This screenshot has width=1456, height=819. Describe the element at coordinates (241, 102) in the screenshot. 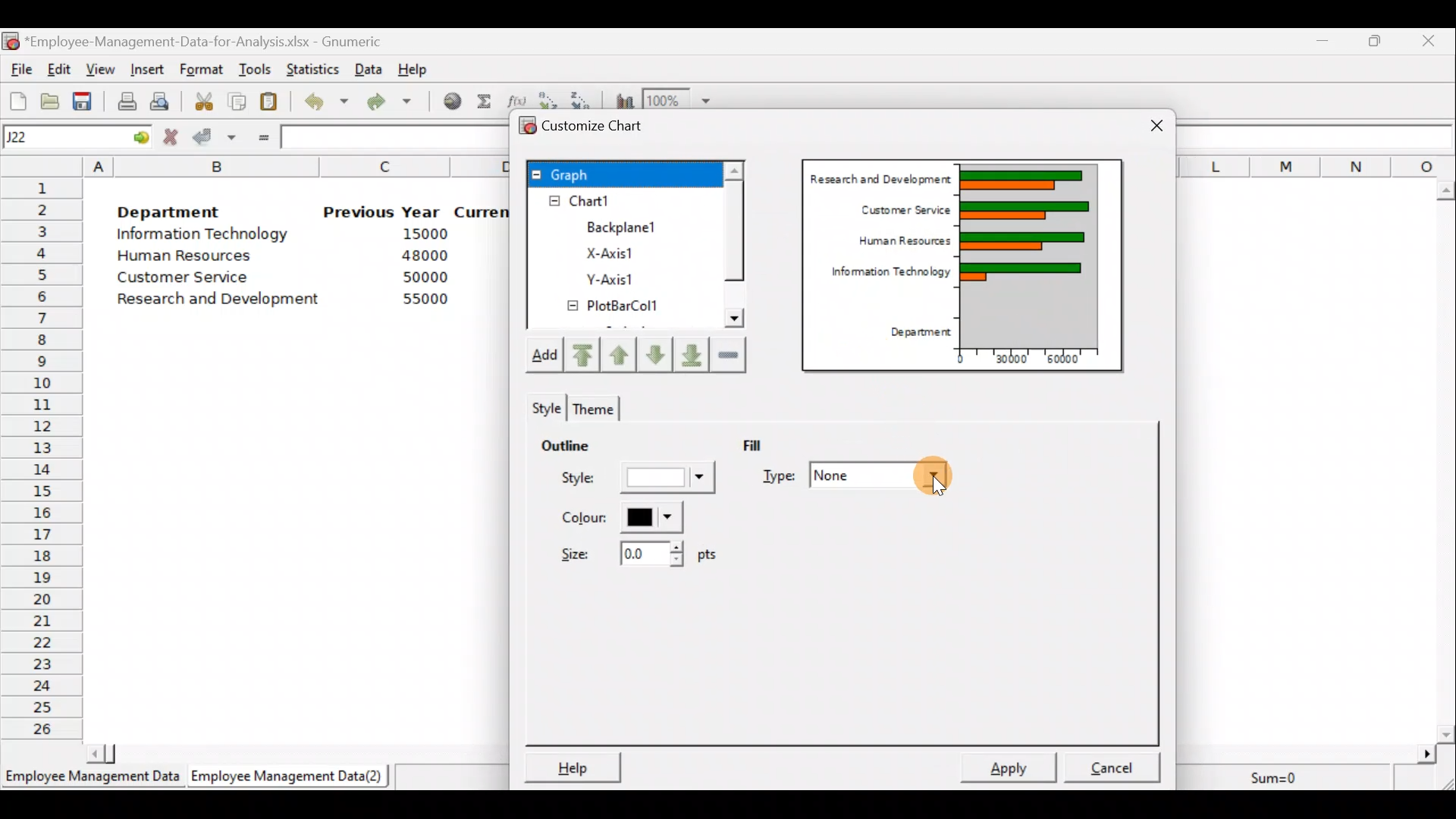

I see `Copy the selection` at that location.